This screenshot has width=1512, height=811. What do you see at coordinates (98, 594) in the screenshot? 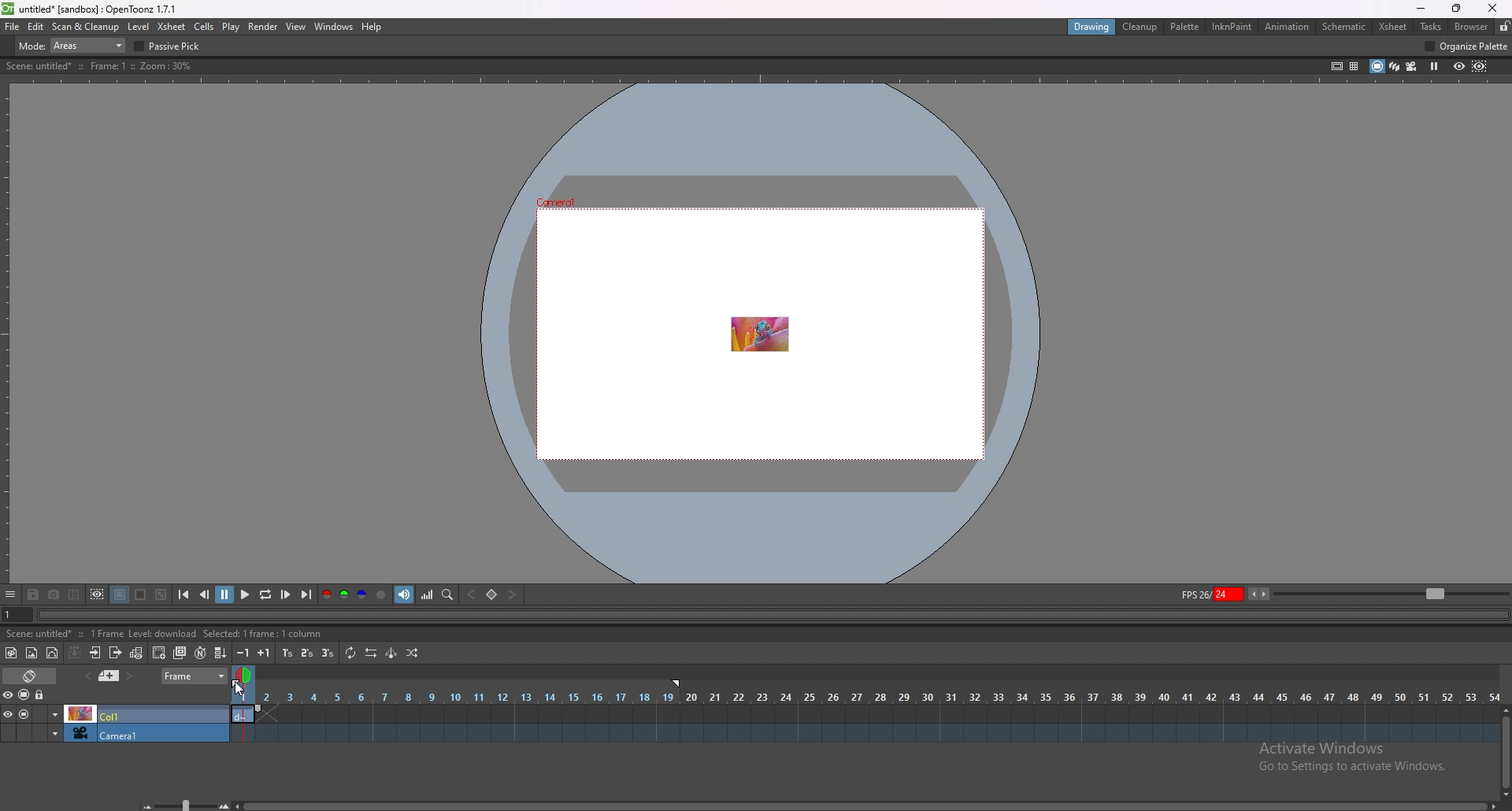
I see `define sub camera` at bounding box center [98, 594].